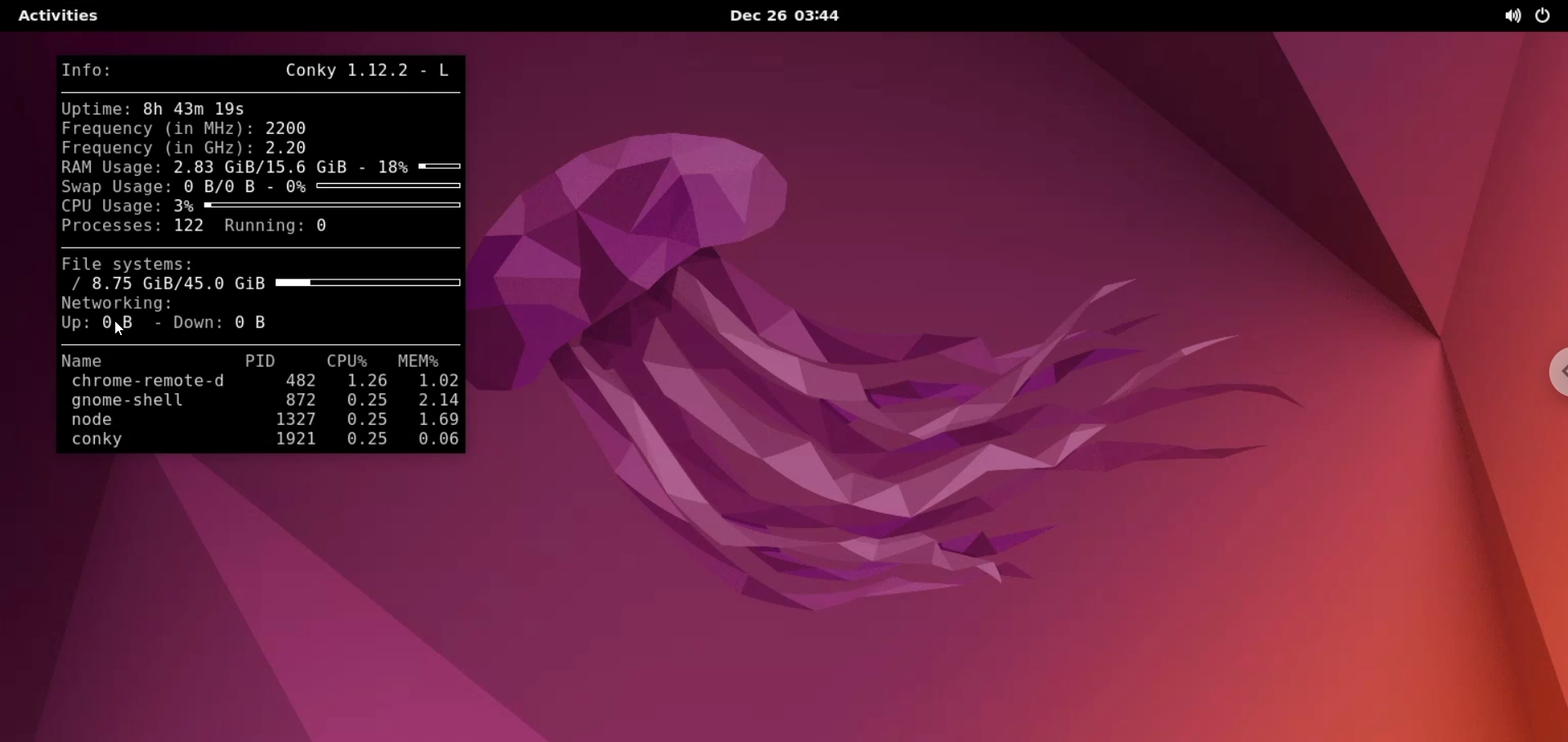 The height and width of the screenshot is (742, 1568). Describe the element at coordinates (111, 227) in the screenshot. I see `Processes:` at that location.